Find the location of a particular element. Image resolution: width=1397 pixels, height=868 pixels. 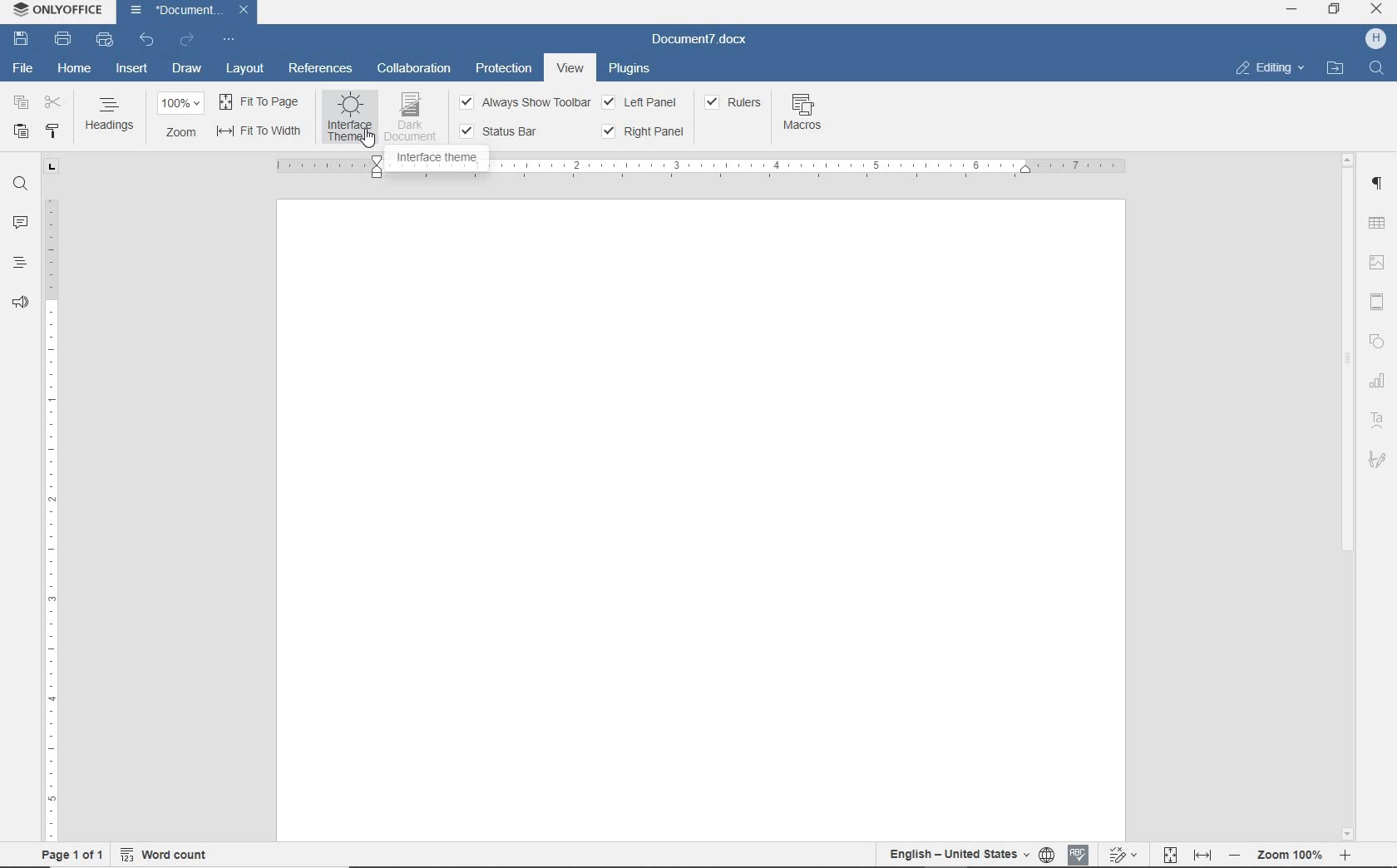

CUSTOMIZE QUICK ACCESS TOOLBAR is located at coordinates (230, 40).